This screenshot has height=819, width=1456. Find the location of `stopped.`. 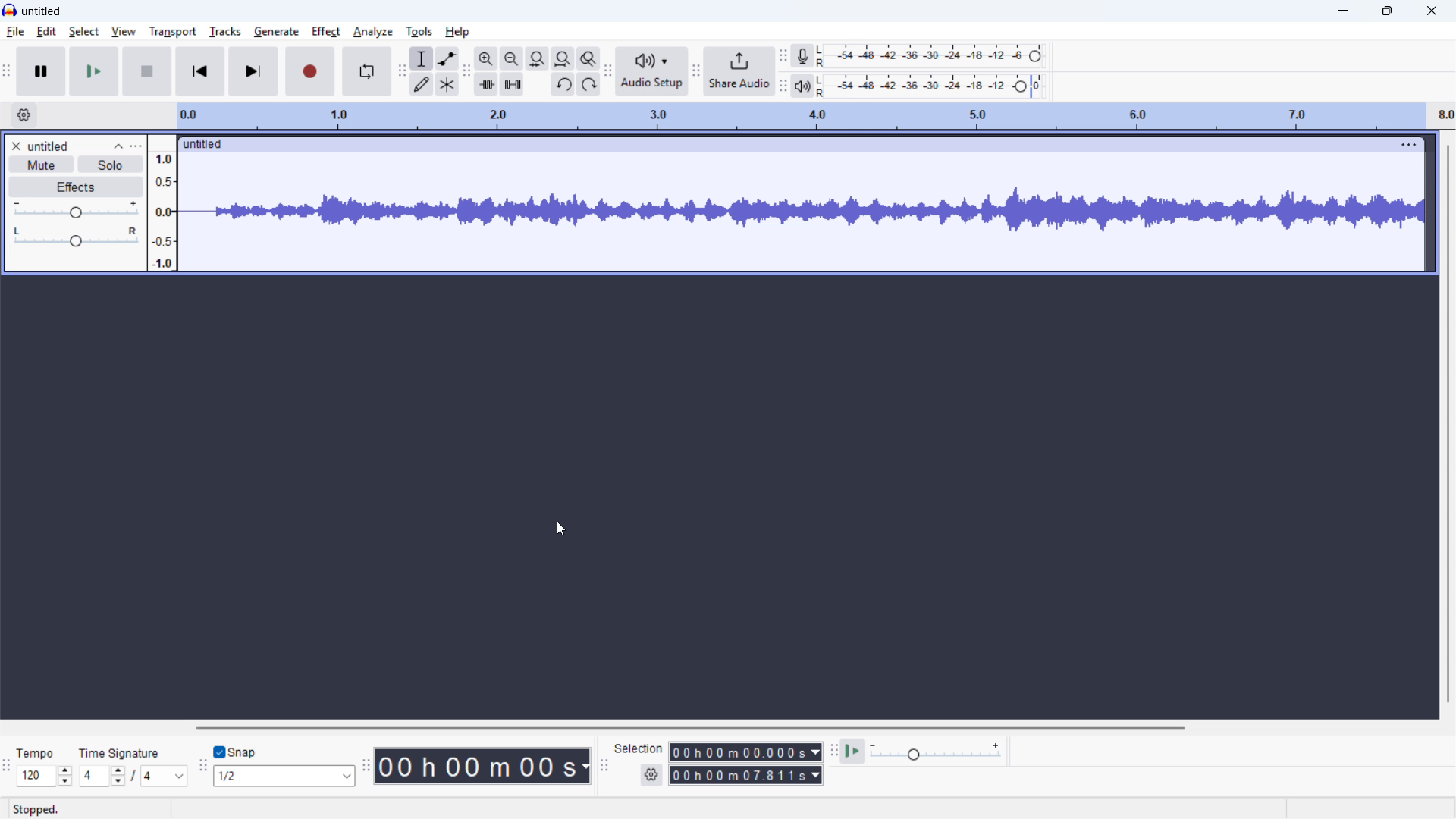

stopped. is located at coordinates (36, 810).